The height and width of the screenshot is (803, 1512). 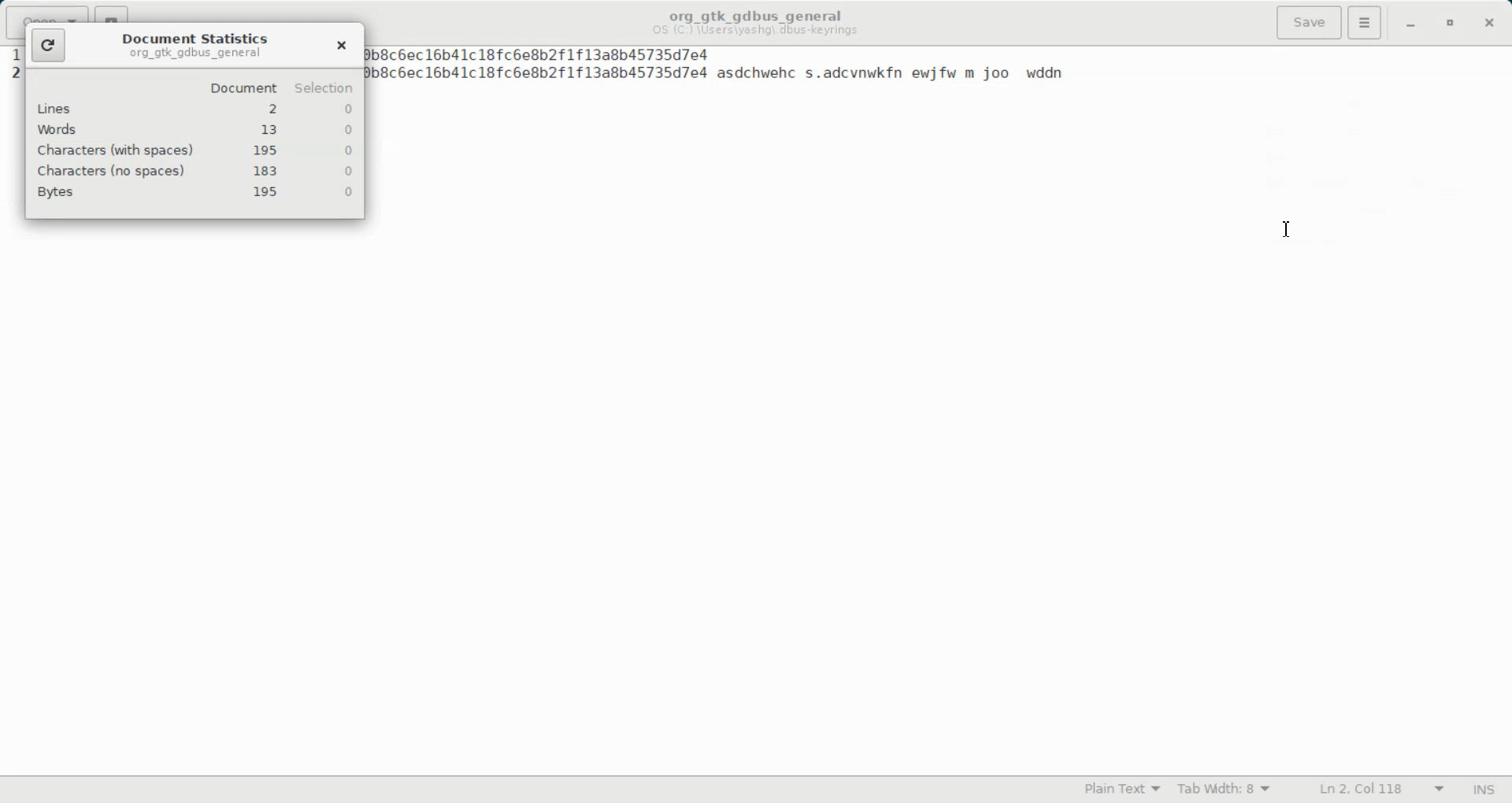 What do you see at coordinates (114, 172) in the screenshot?
I see `characters (no spaces)` at bounding box center [114, 172].